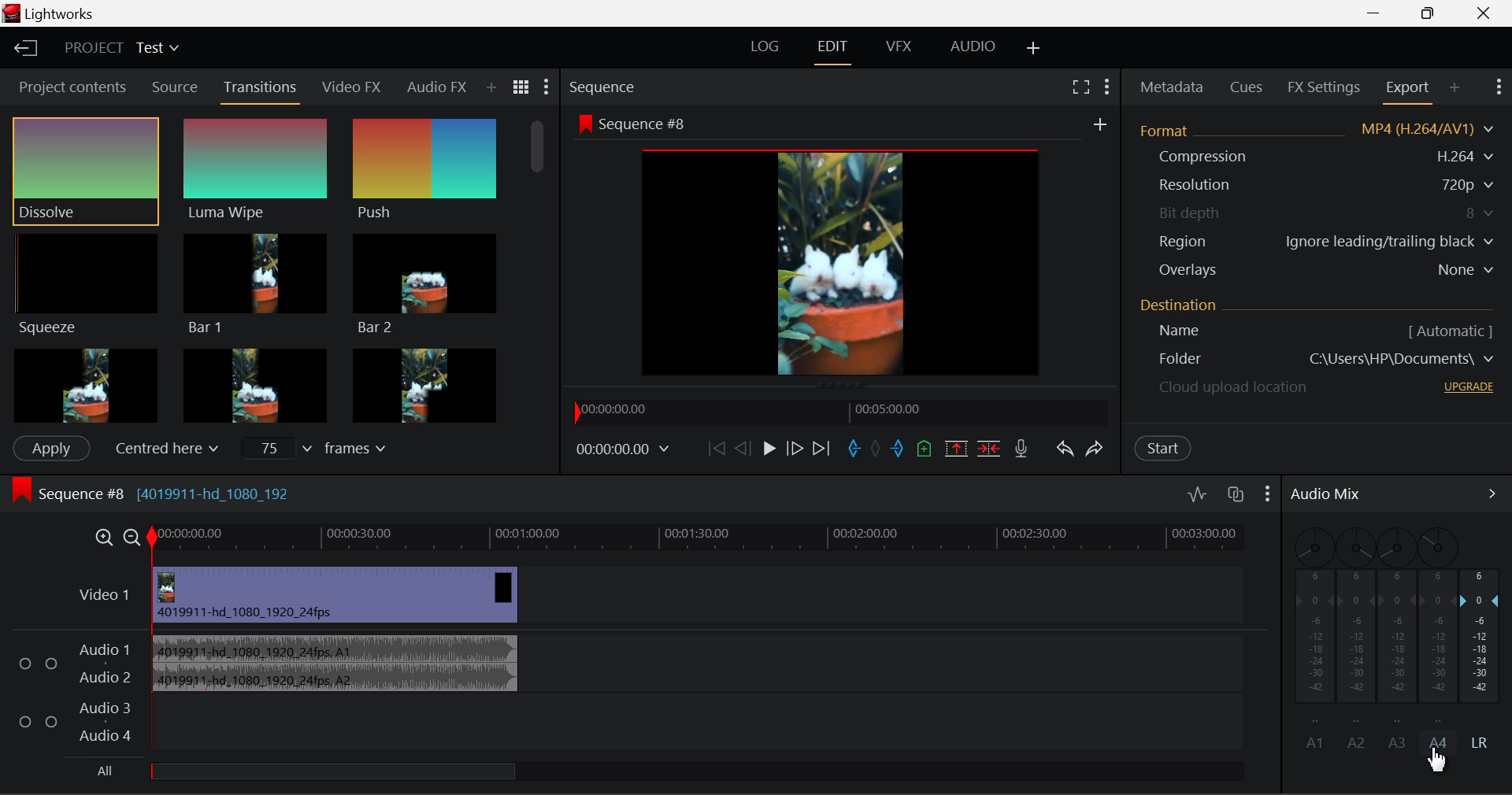  Describe the element at coordinates (425, 383) in the screenshot. I see `Box 3` at that location.